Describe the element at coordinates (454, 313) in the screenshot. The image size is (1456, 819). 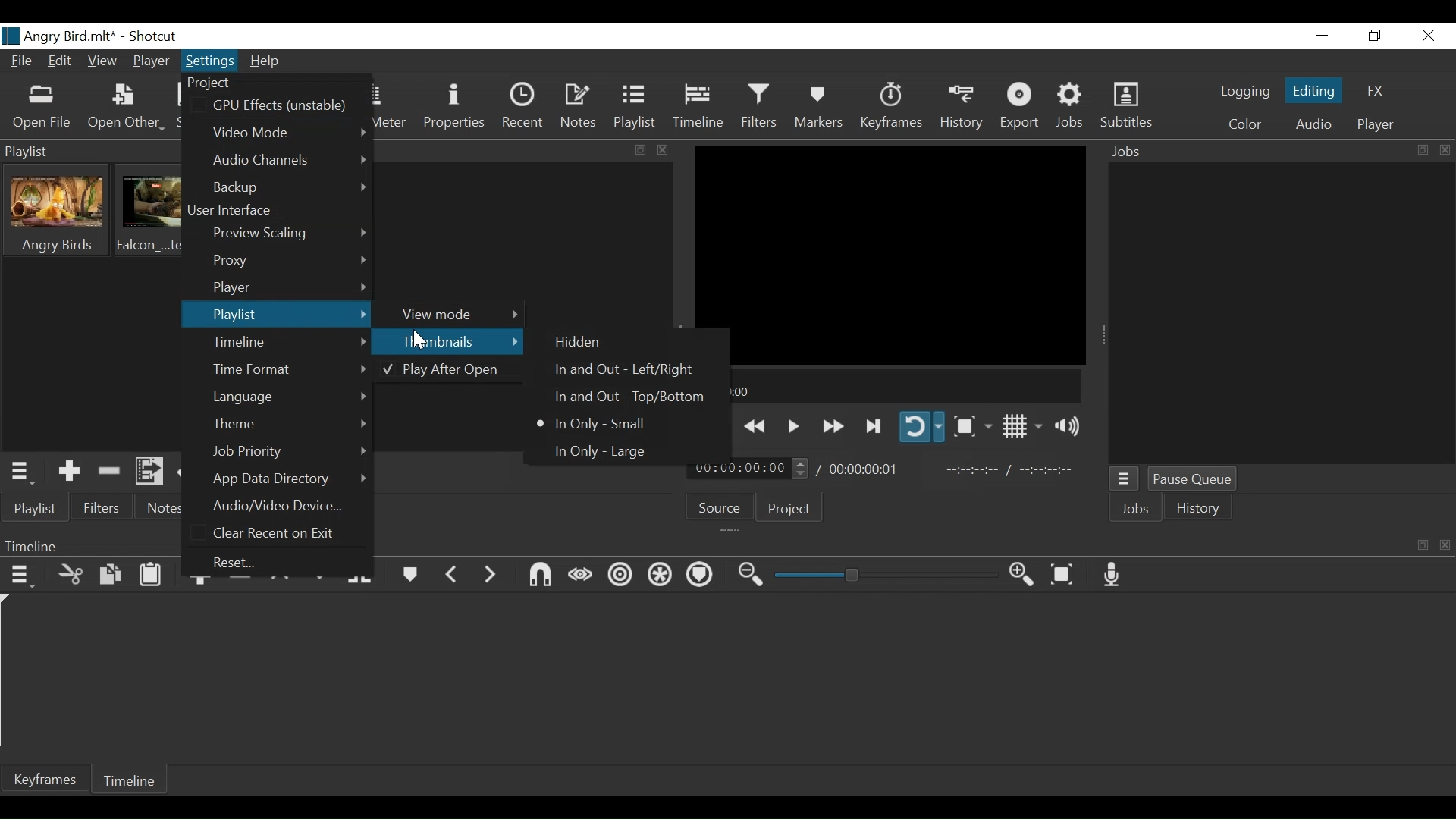
I see `View mode` at that location.